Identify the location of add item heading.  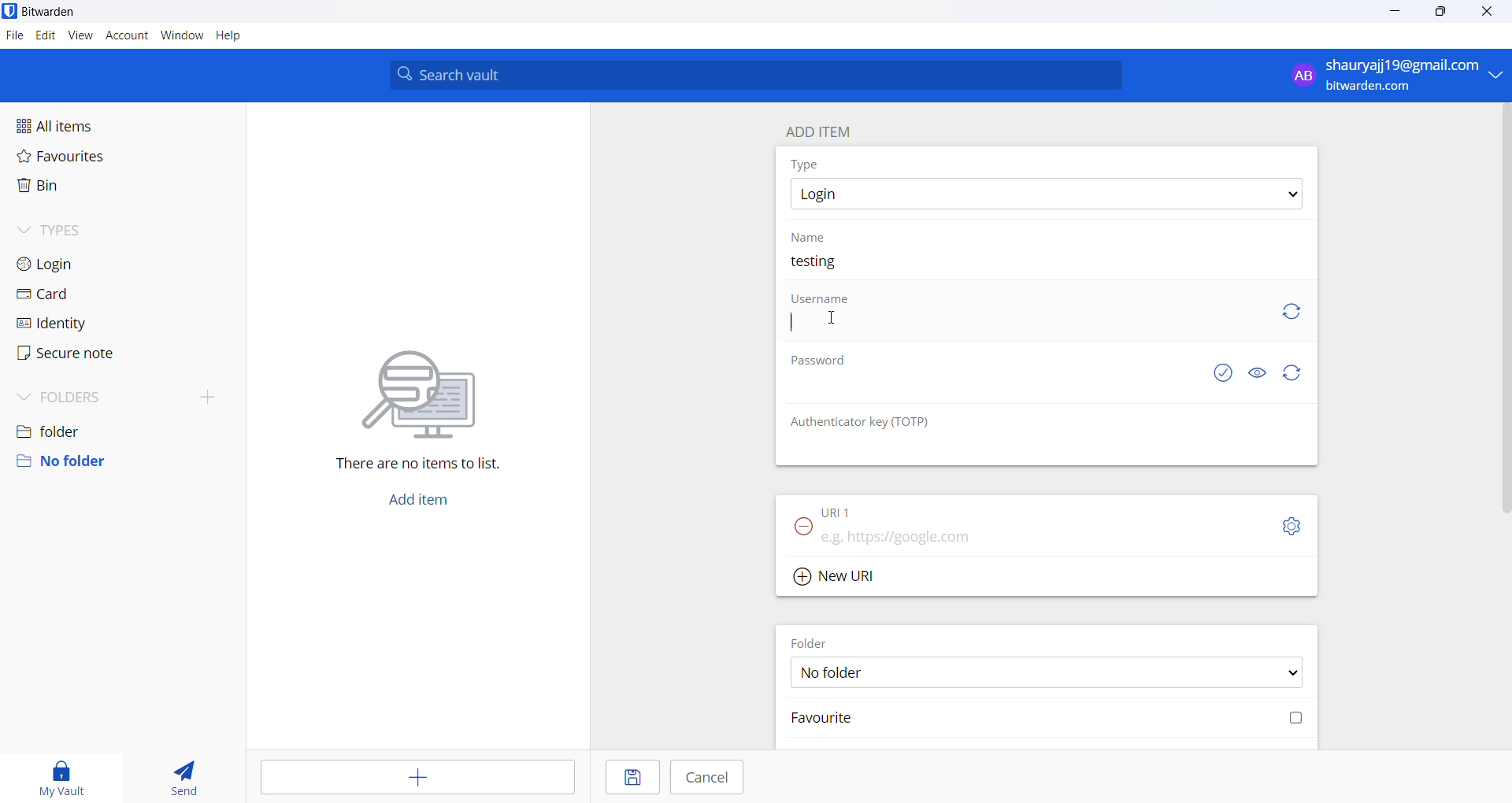
(819, 128).